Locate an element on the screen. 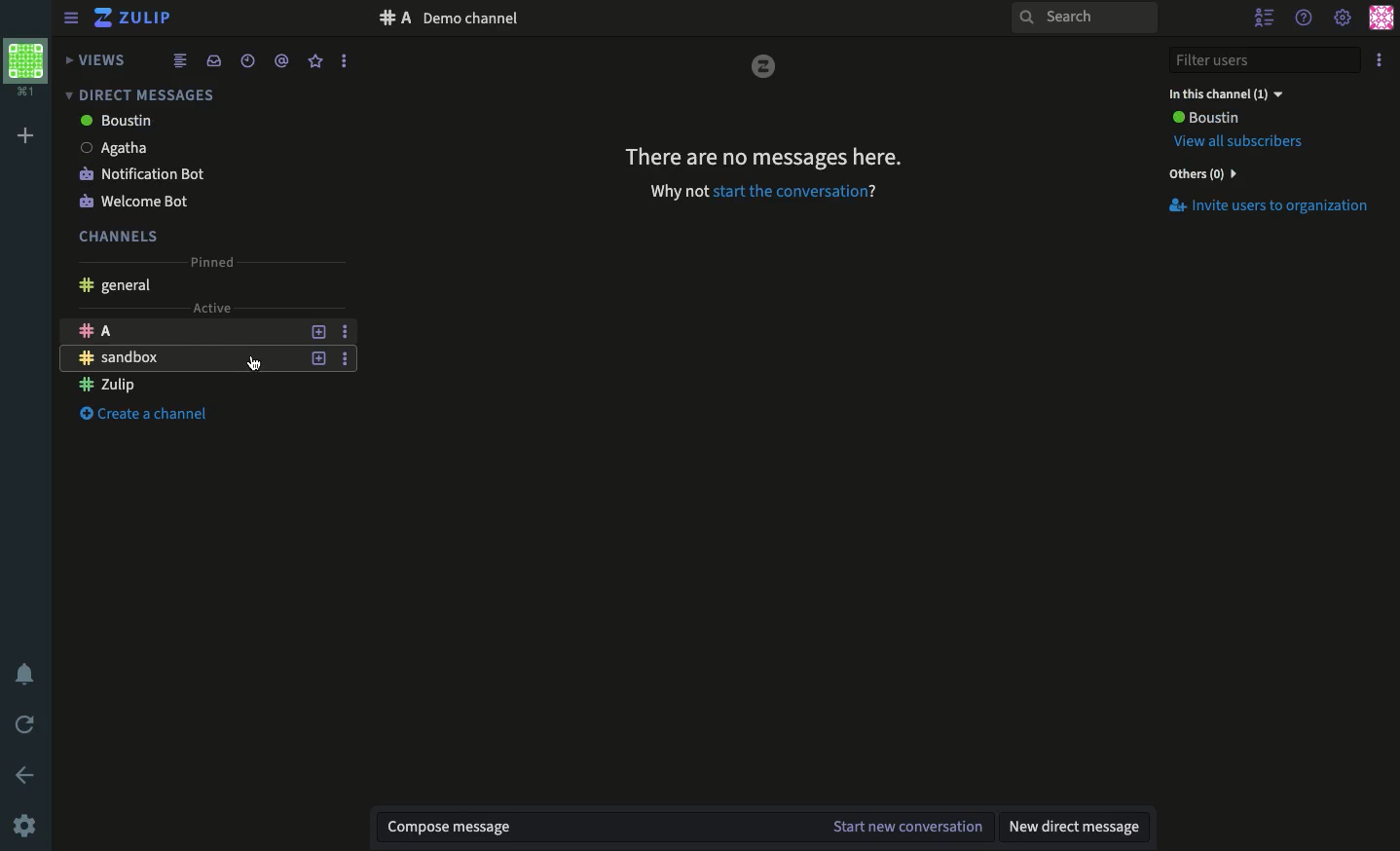 The width and height of the screenshot is (1400, 851). Invite users is located at coordinates (1268, 205).